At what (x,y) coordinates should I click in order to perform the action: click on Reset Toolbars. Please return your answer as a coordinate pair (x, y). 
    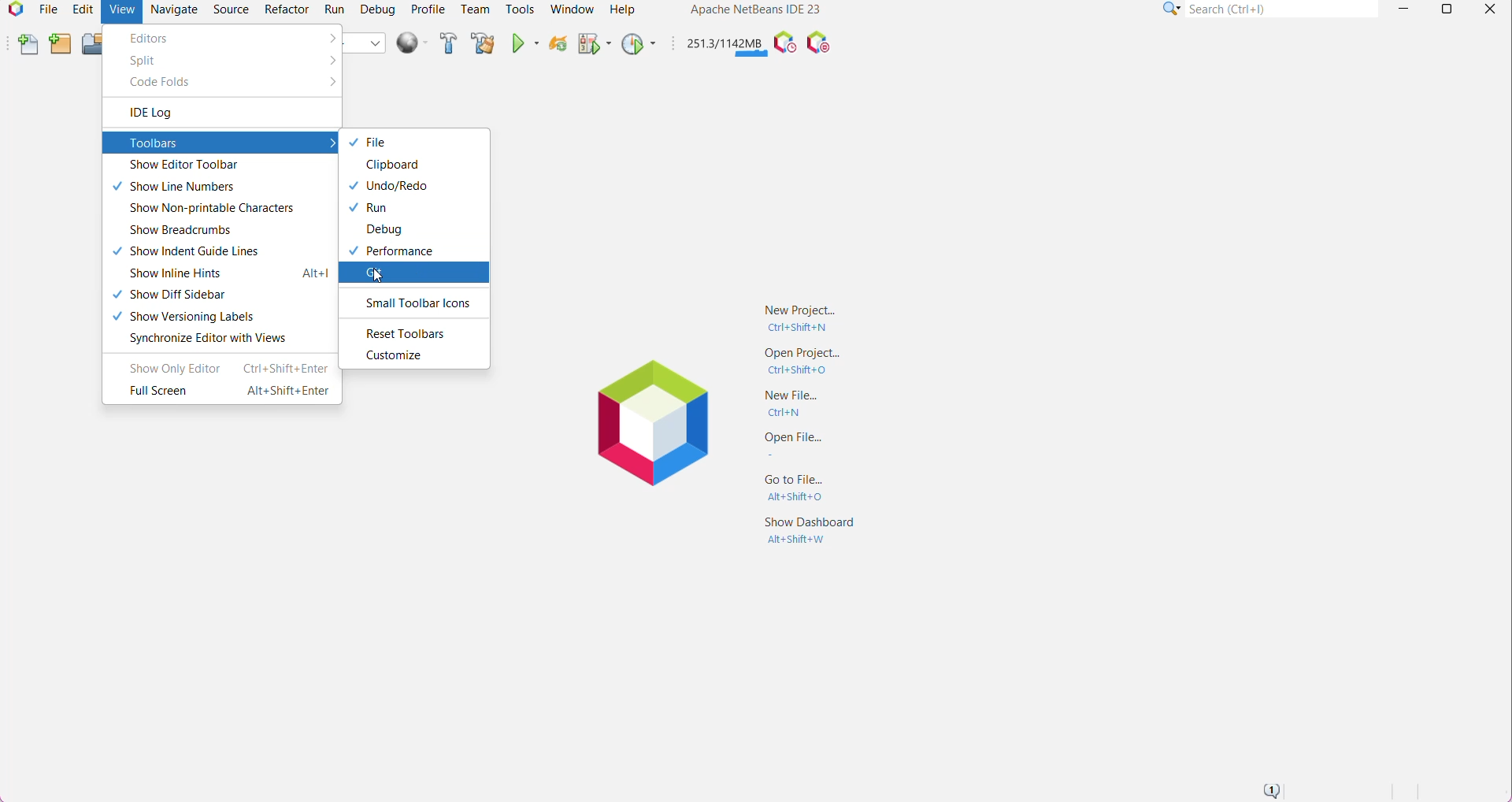
    Looking at the image, I should click on (406, 334).